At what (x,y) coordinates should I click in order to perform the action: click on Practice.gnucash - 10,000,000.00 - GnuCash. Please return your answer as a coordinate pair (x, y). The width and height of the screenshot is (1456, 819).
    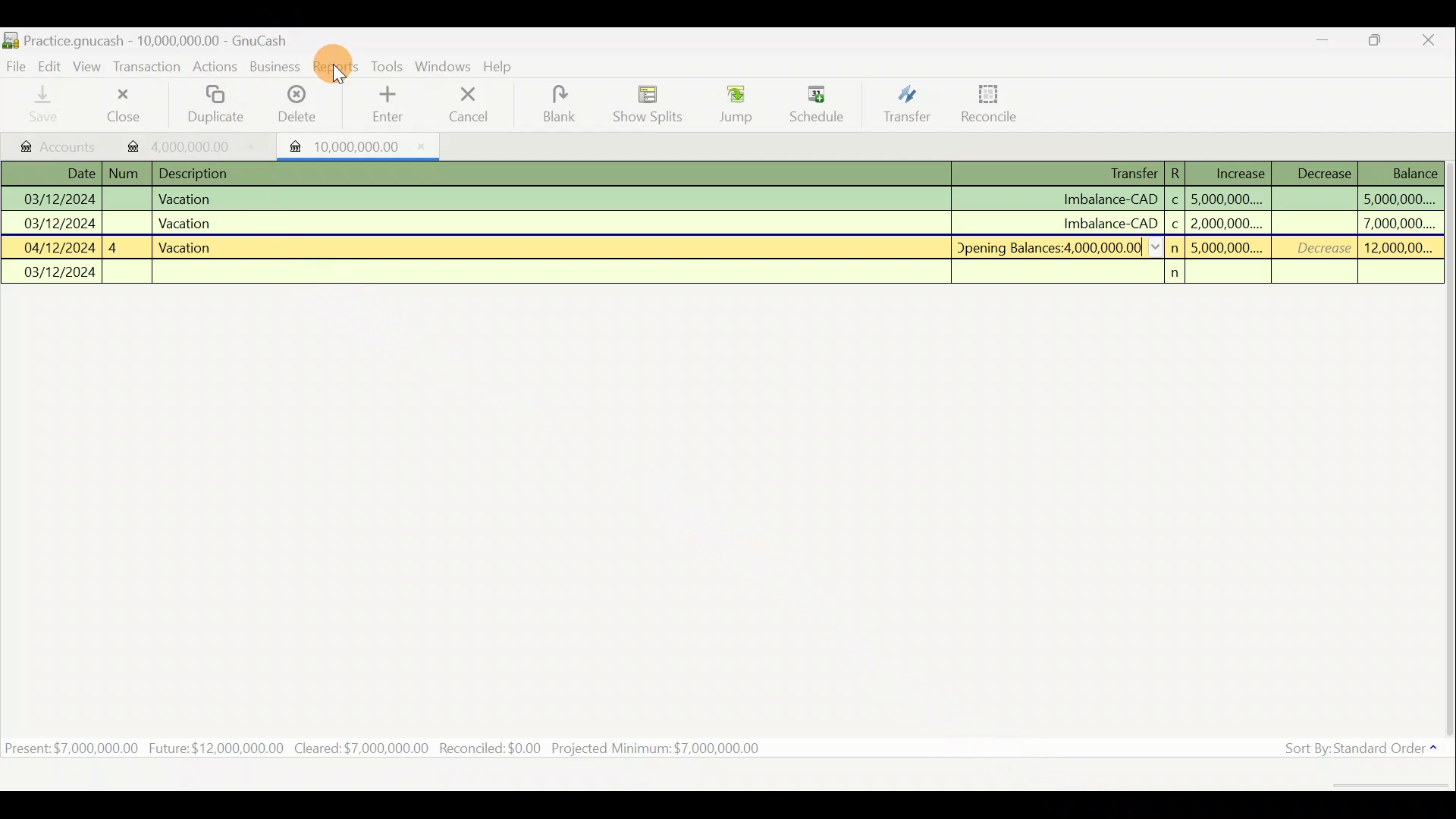
    Looking at the image, I should click on (147, 39).